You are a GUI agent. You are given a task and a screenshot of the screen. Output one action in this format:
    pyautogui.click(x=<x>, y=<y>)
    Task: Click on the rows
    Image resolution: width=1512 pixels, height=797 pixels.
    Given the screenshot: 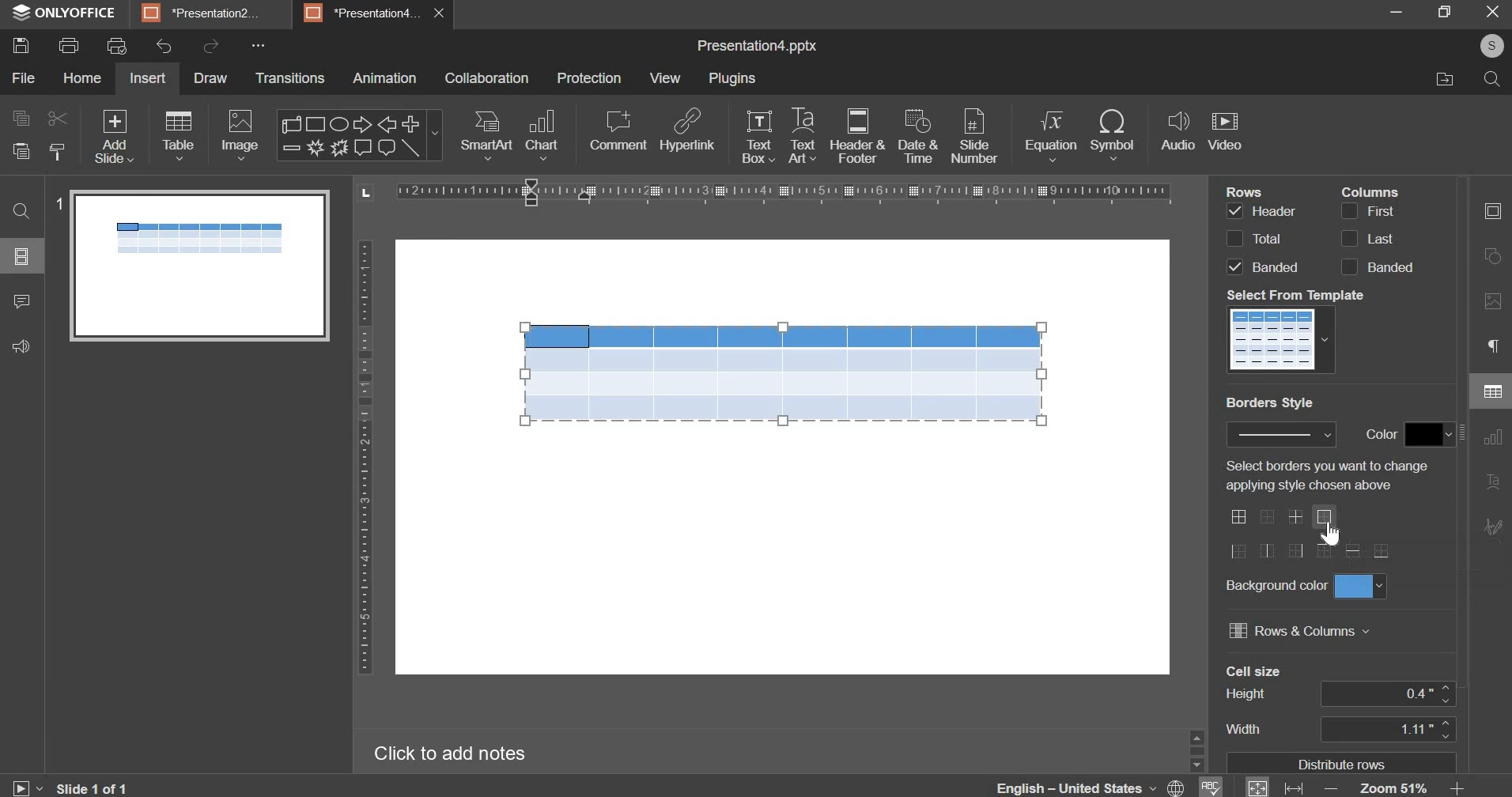 What is the action you would take?
    pyautogui.click(x=1243, y=192)
    